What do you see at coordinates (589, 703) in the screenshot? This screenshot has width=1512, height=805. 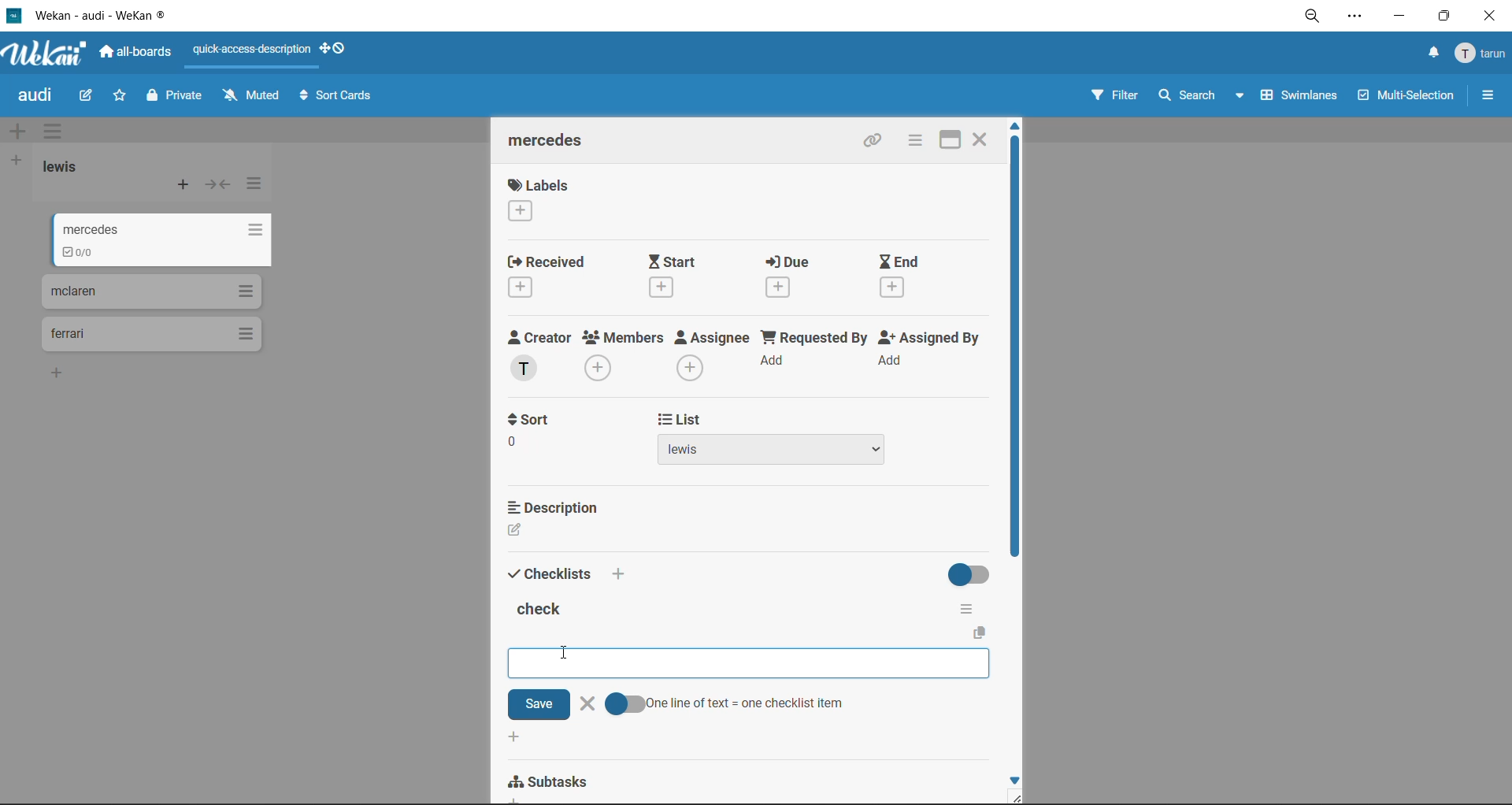 I see `delete` at bounding box center [589, 703].